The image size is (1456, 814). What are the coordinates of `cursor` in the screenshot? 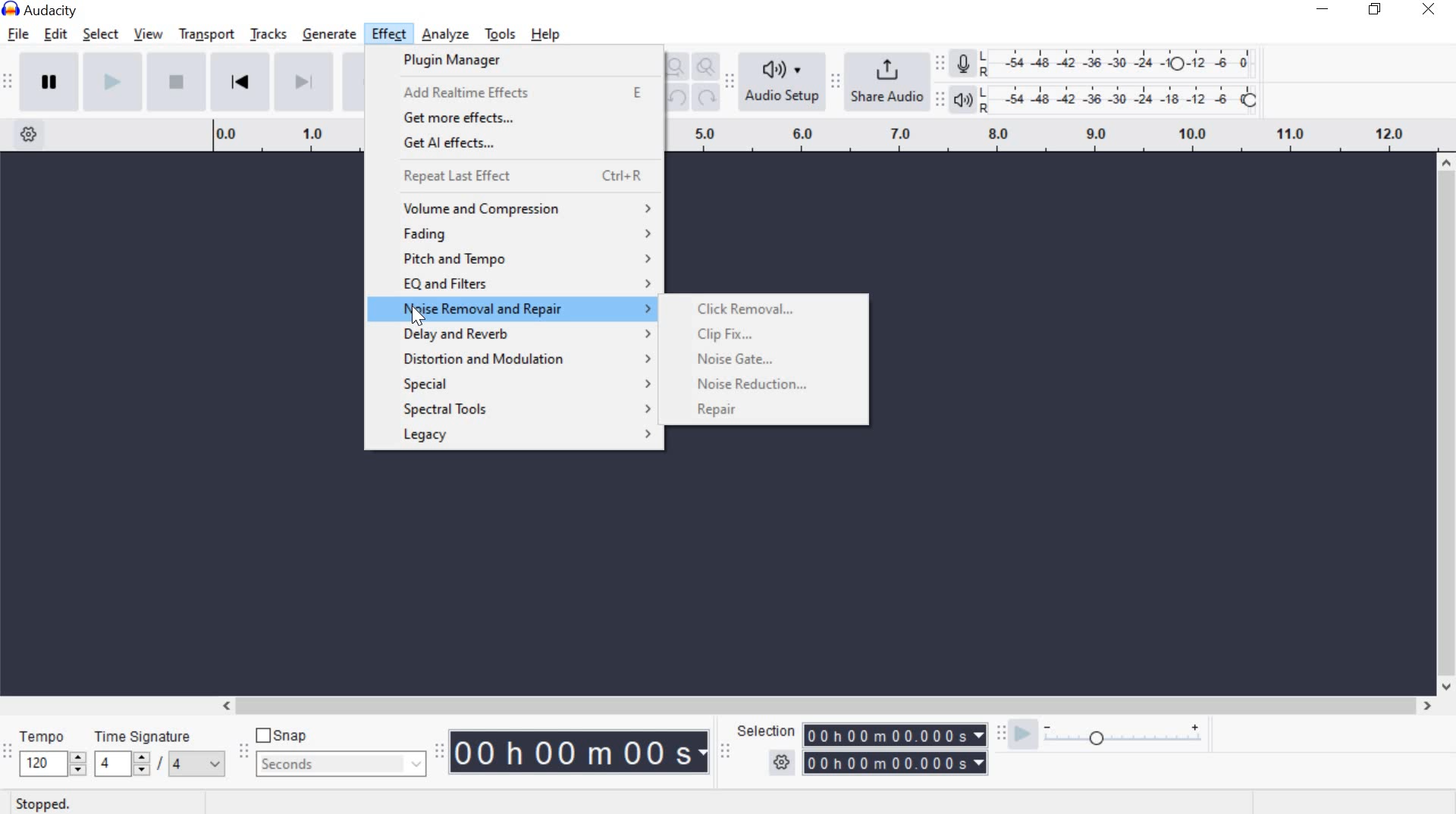 It's located at (417, 315).